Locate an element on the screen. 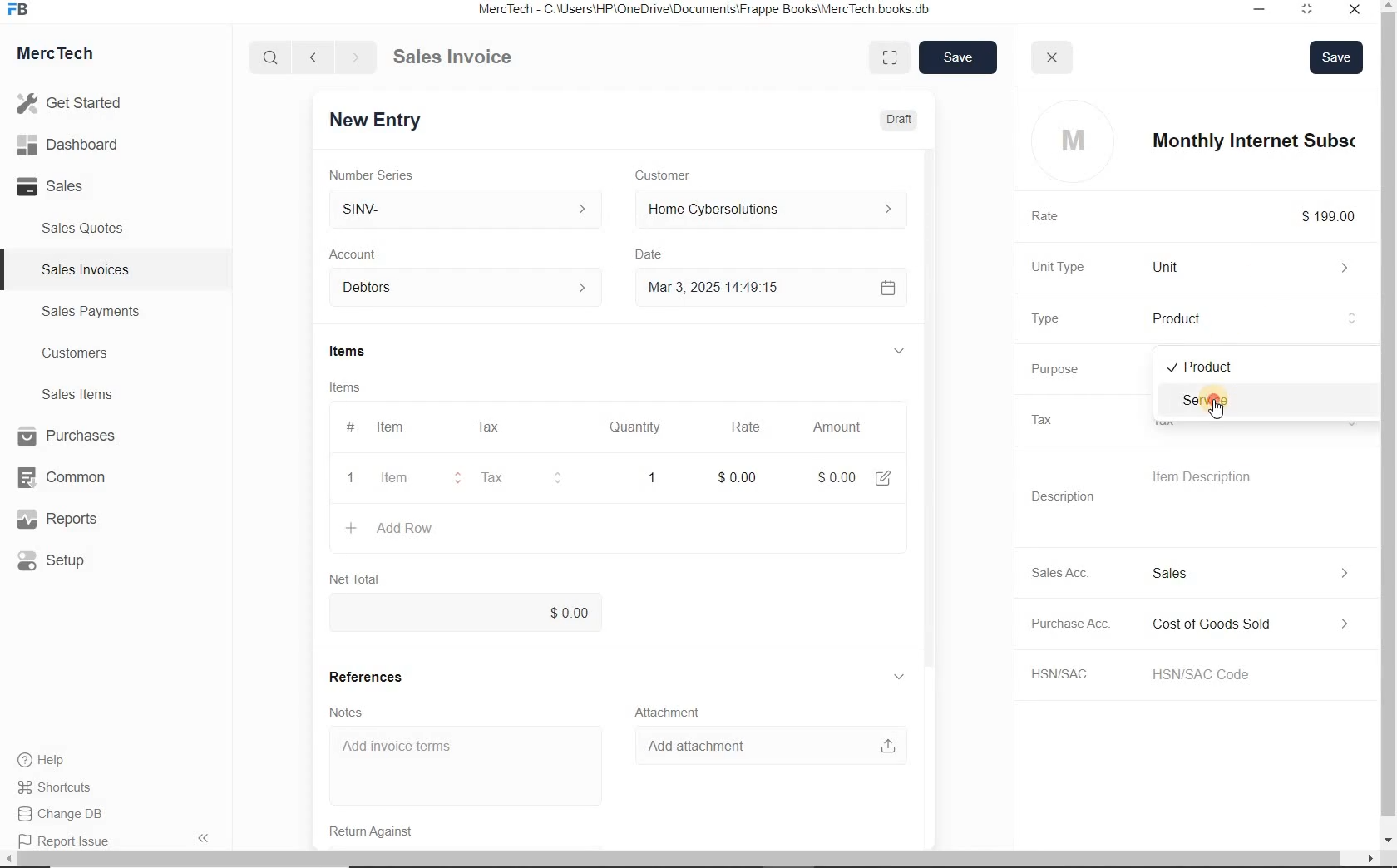 This screenshot has height=868, width=1397. cursor is located at coordinates (1217, 410).